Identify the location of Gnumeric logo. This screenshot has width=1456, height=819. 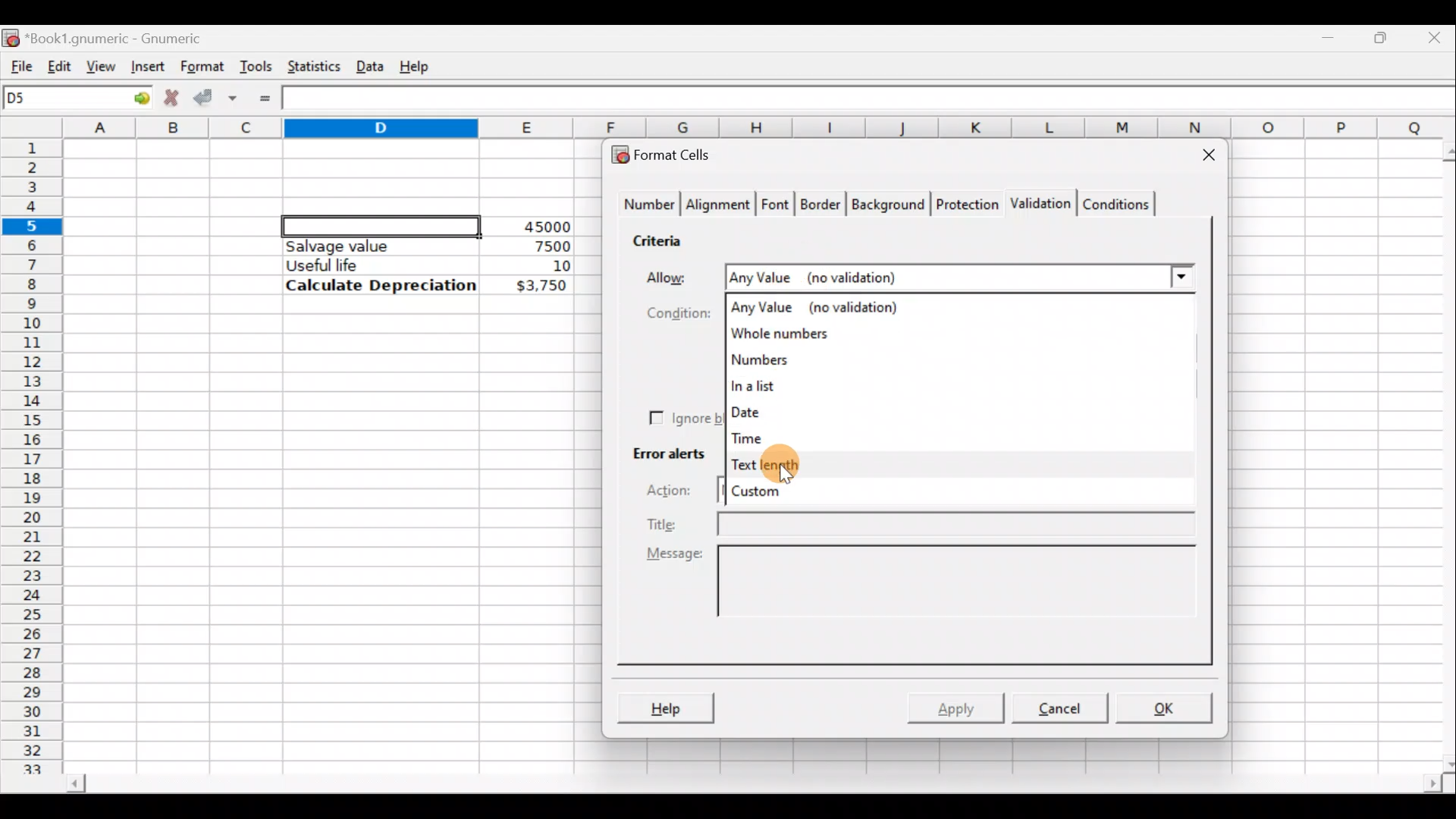
(11, 36).